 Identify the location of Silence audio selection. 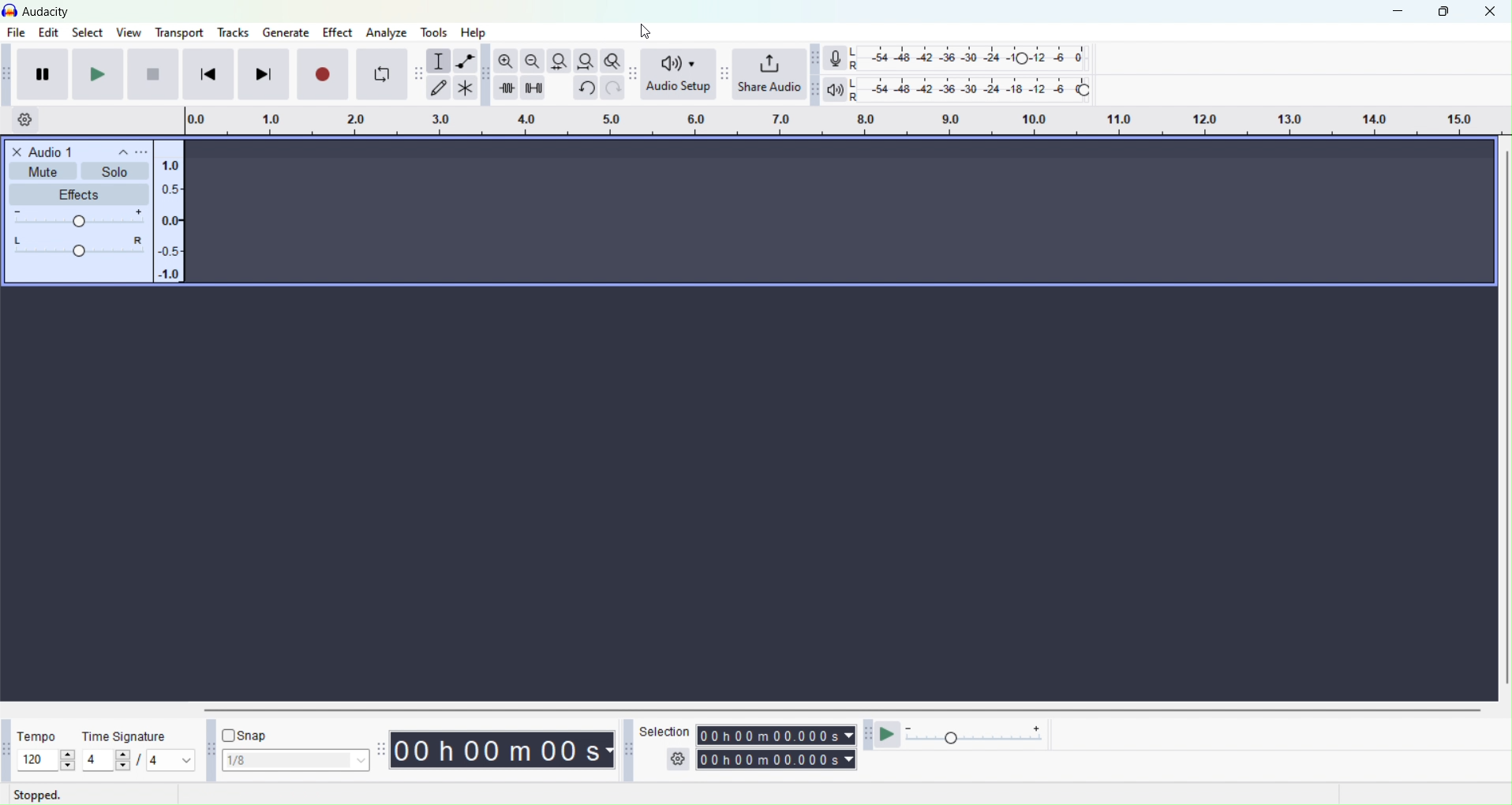
(534, 87).